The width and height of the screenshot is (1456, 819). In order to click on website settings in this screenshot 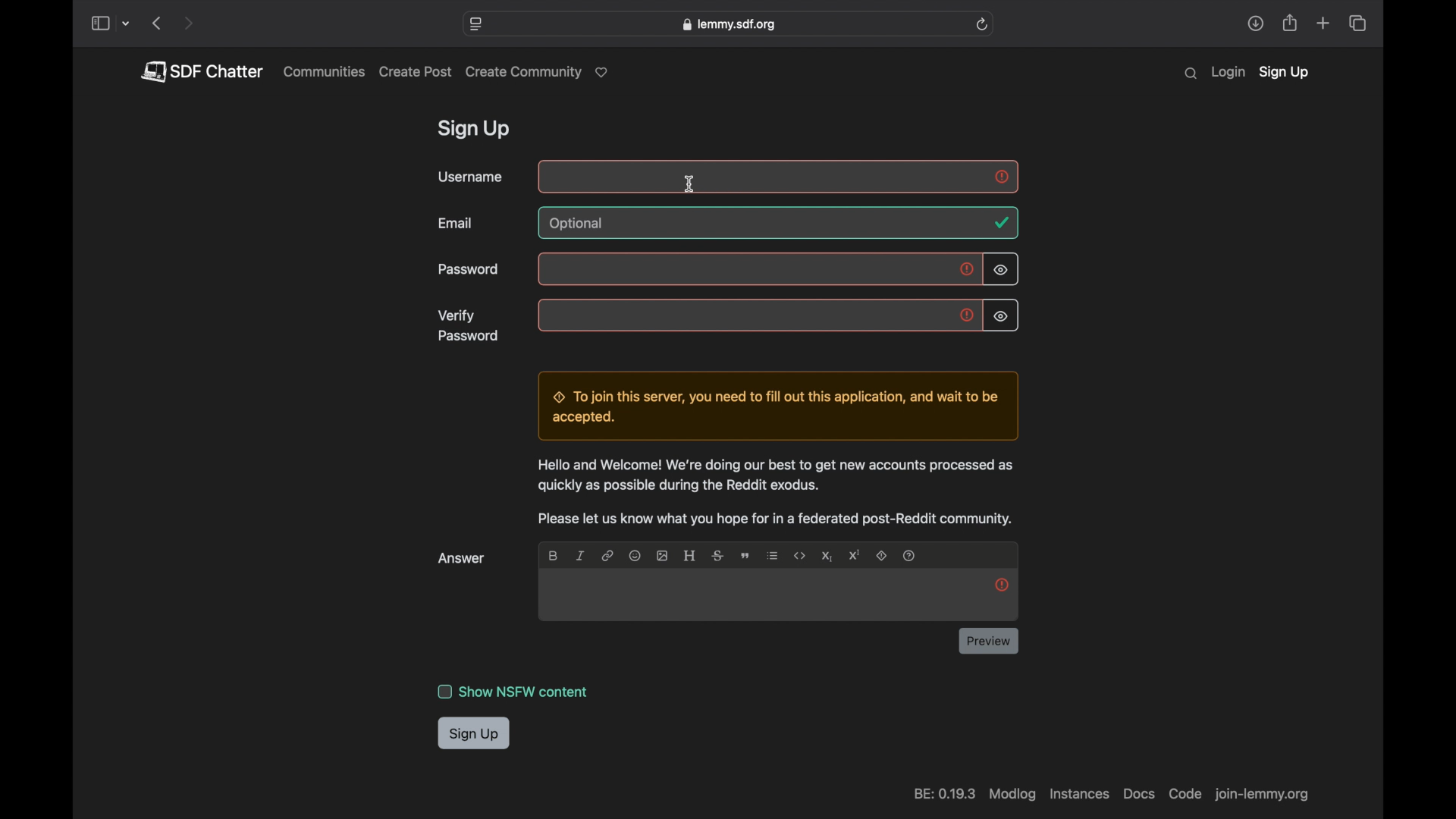, I will do `click(477, 24)`.